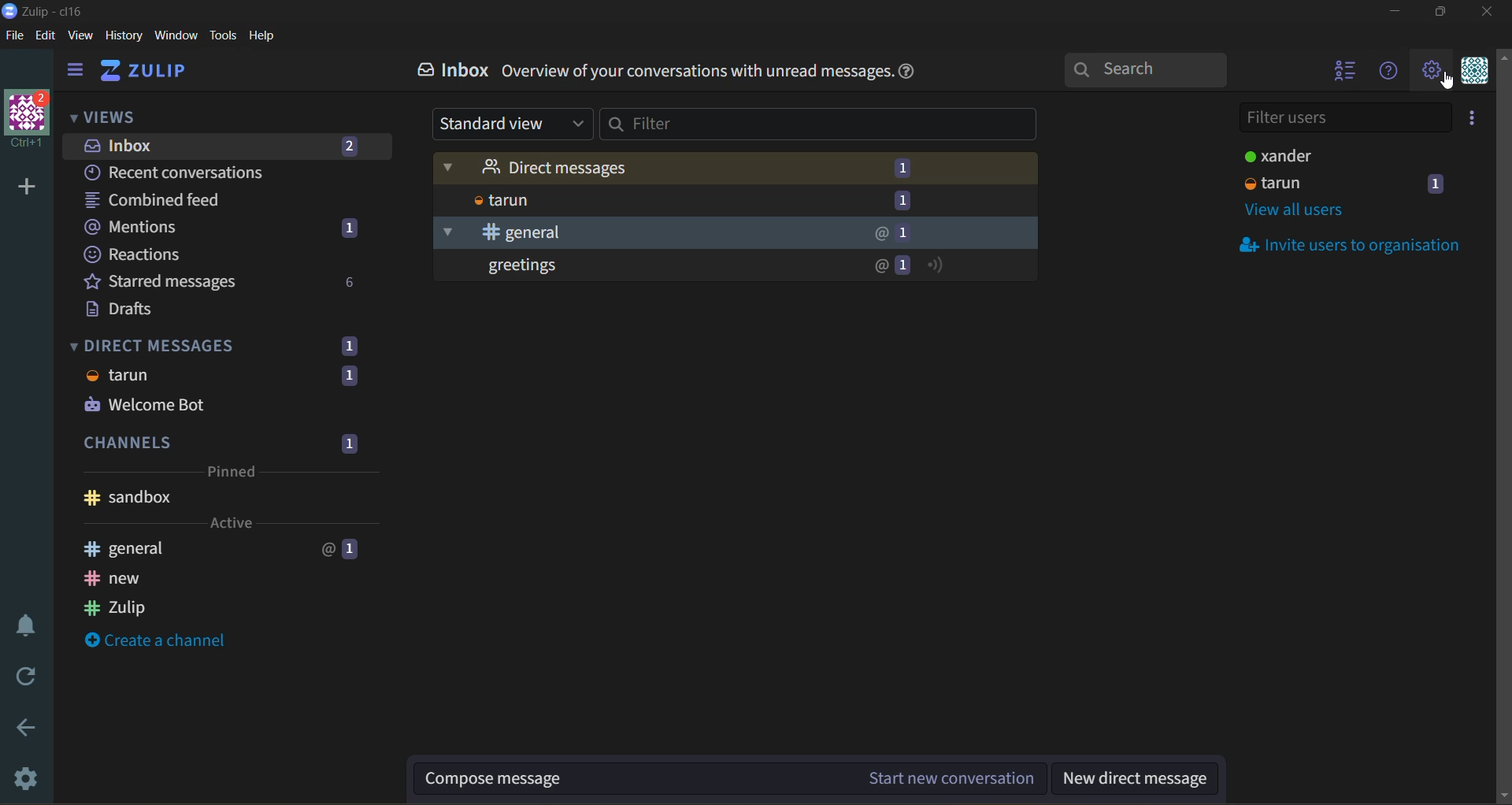  I want to click on reload, so click(25, 677).